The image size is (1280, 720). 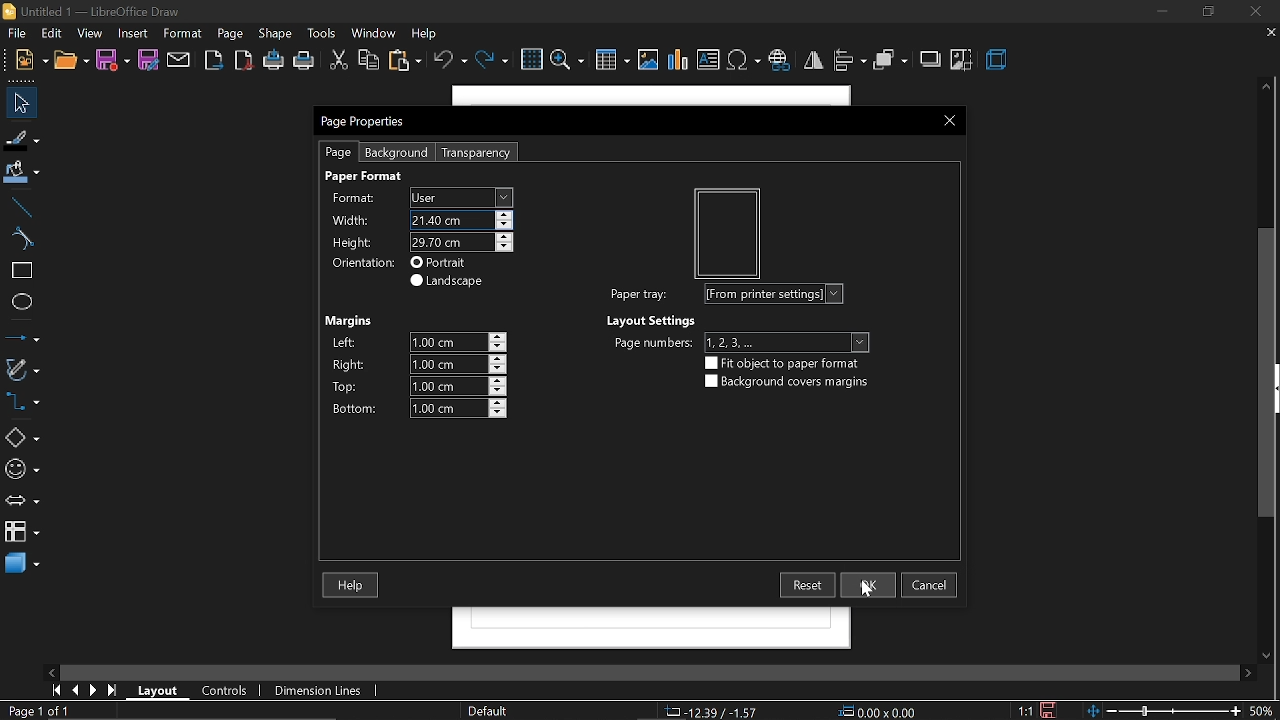 What do you see at coordinates (336, 61) in the screenshot?
I see `cut ` at bounding box center [336, 61].